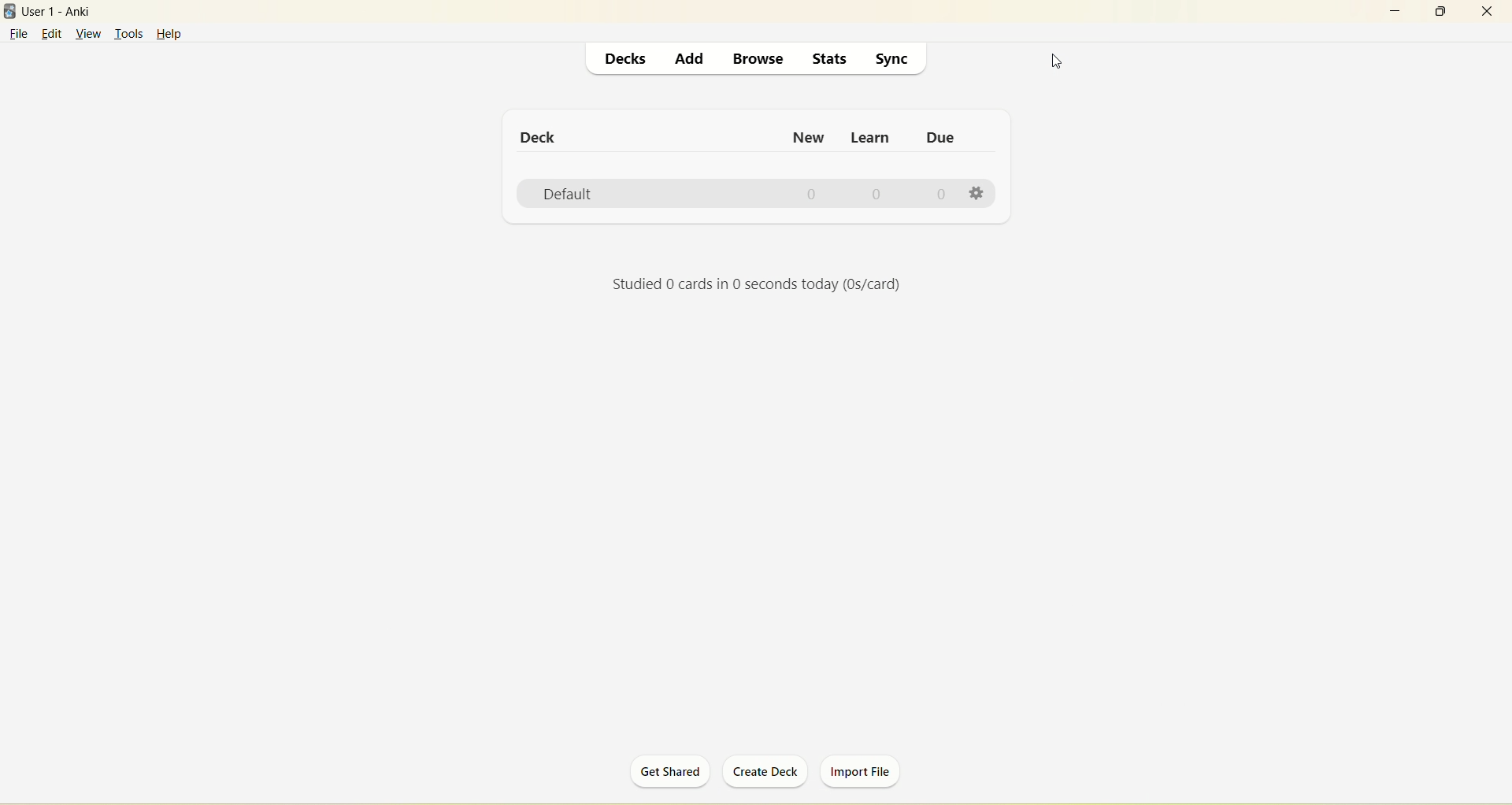  Describe the element at coordinates (20, 34) in the screenshot. I see `file` at that location.